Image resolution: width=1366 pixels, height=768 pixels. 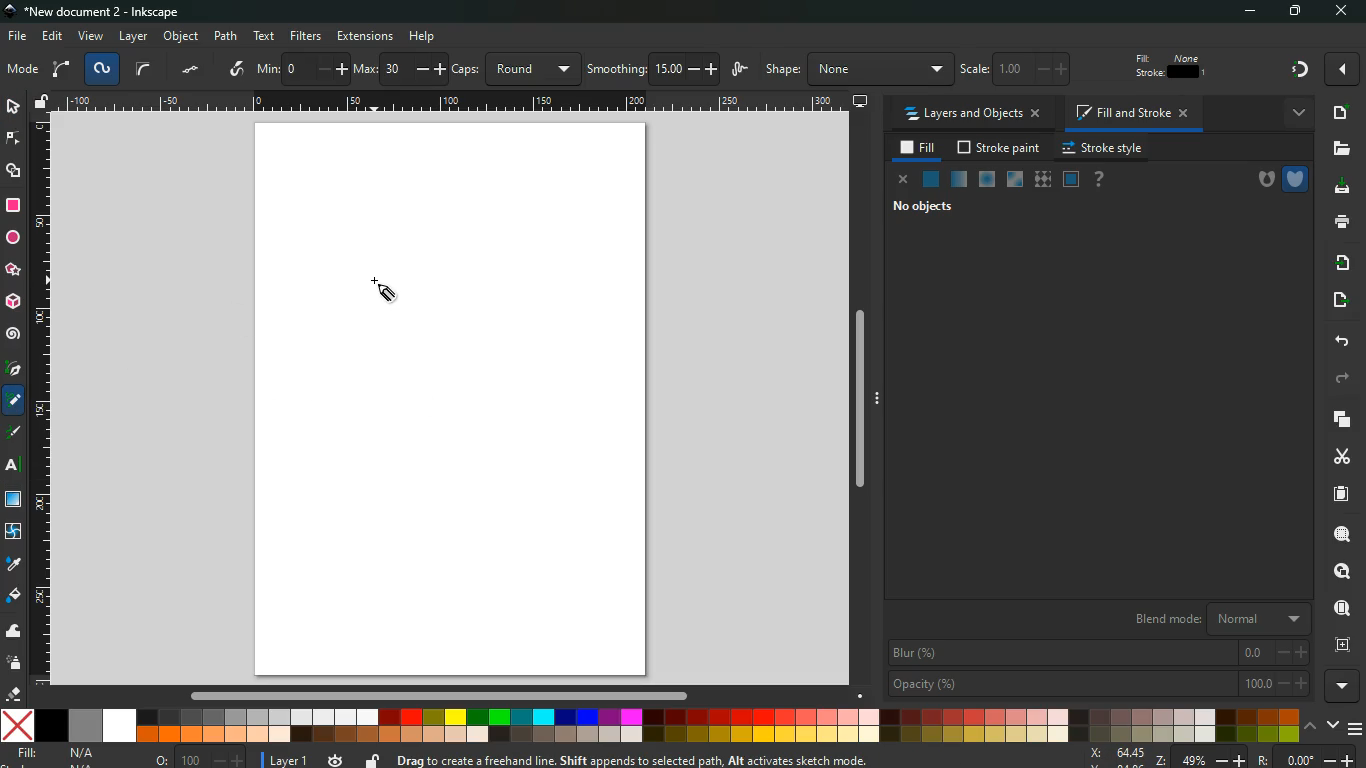 I want to click on close, so click(x=905, y=183).